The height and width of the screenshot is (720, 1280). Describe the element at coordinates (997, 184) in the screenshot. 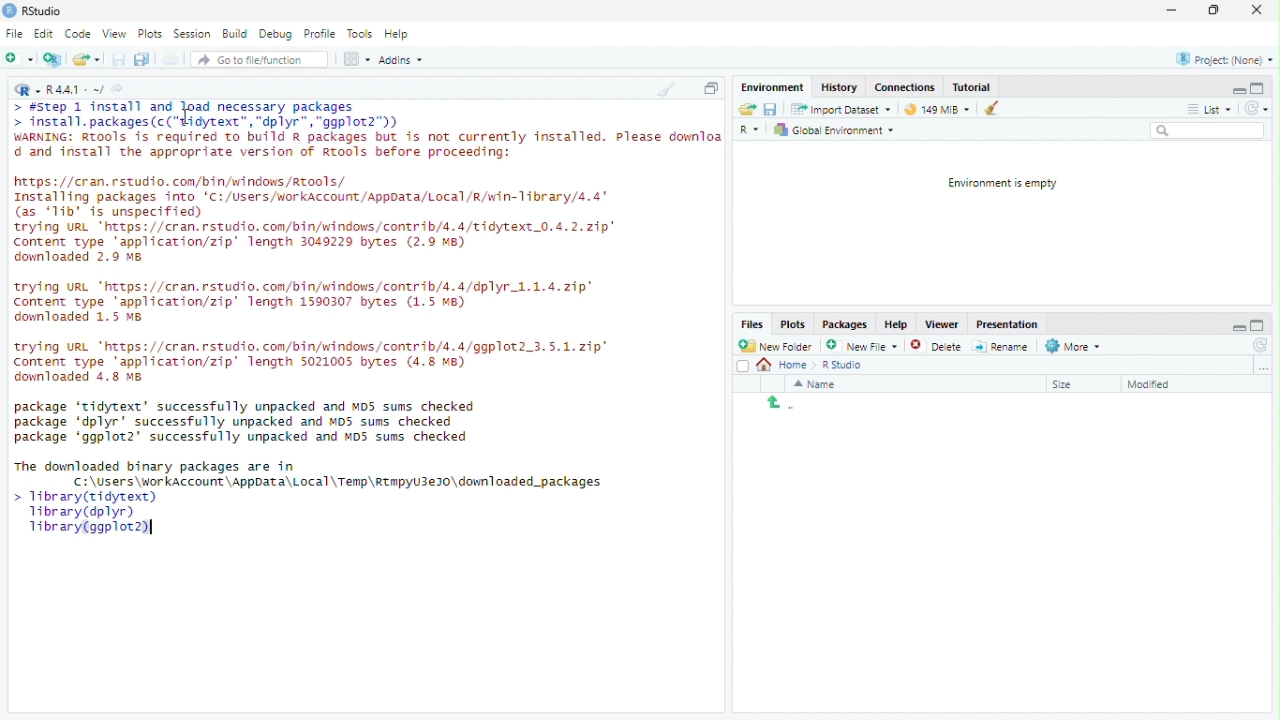

I see `Environment is empty` at that location.